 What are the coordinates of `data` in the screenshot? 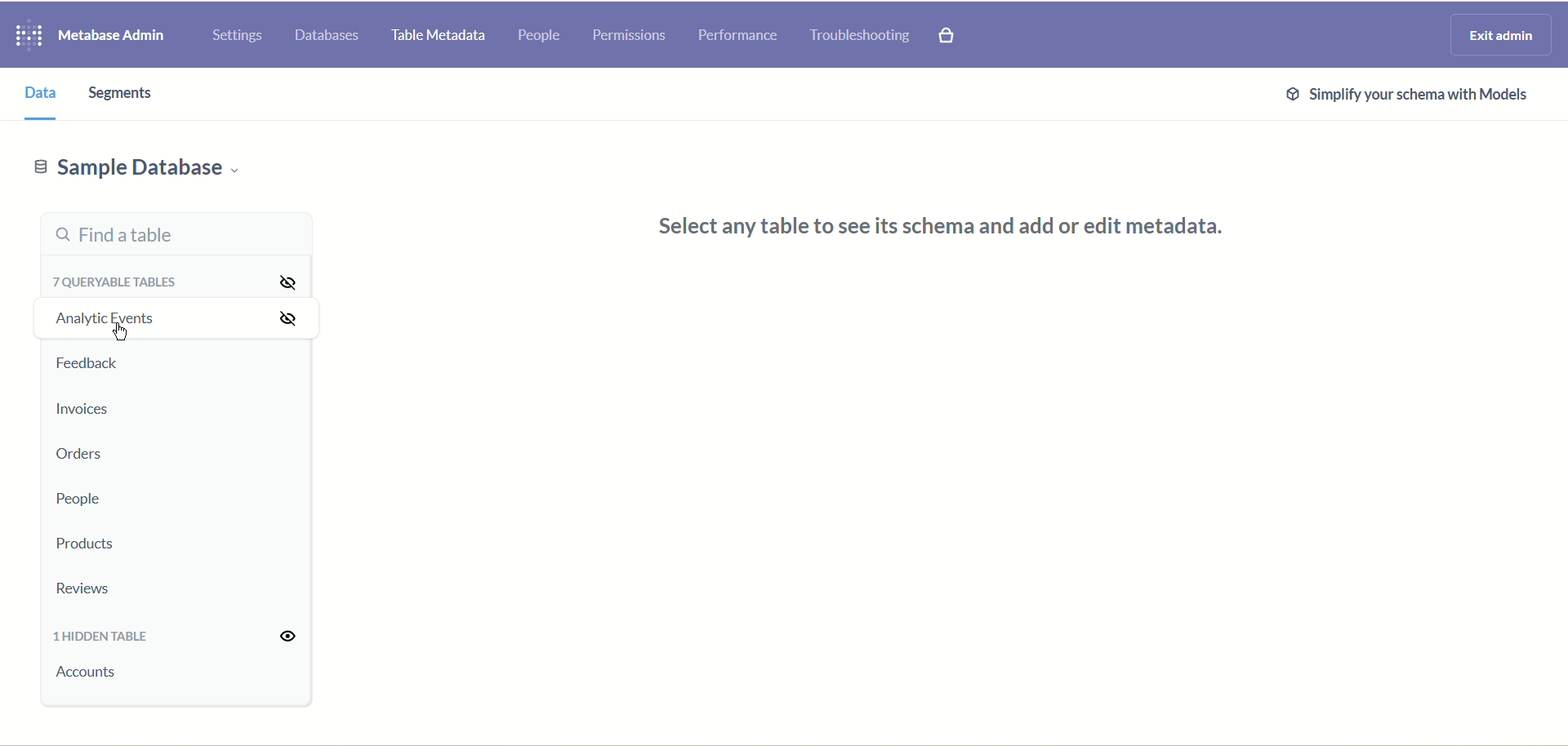 It's located at (35, 94).